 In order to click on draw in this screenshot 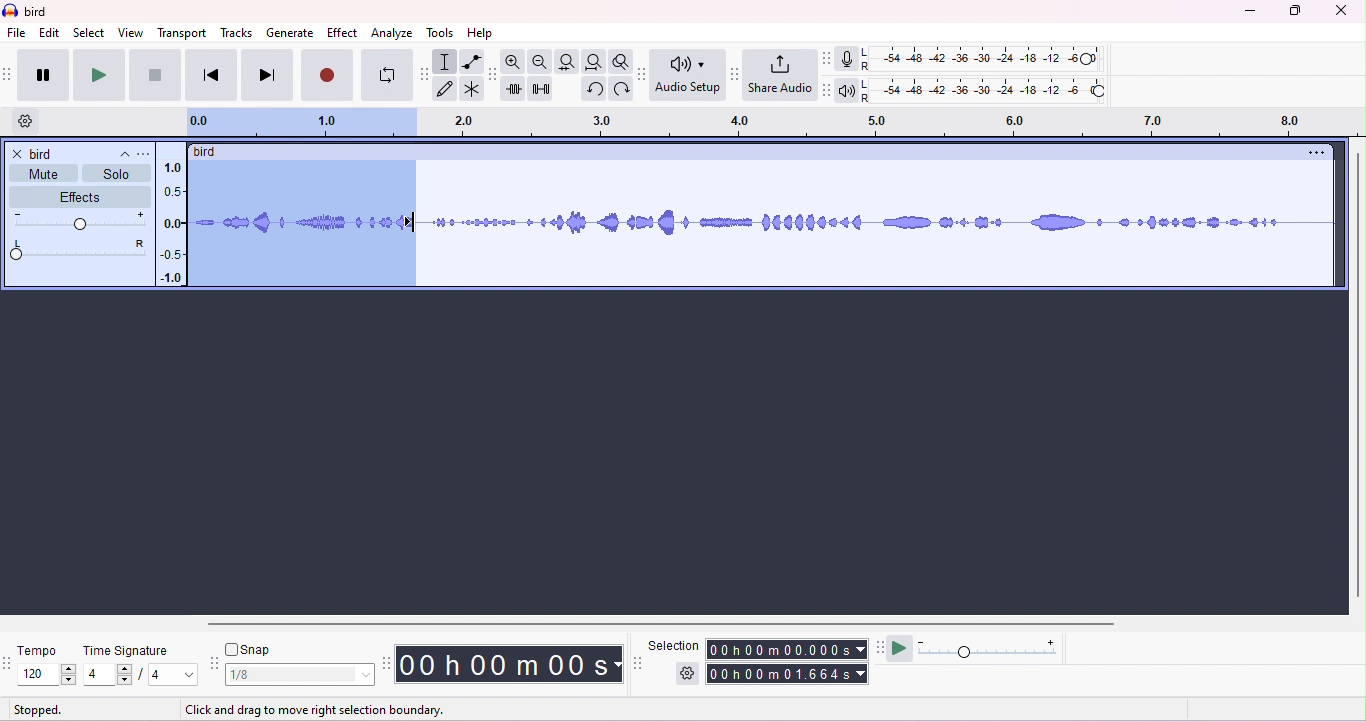, I will do `click(446, 89)`.